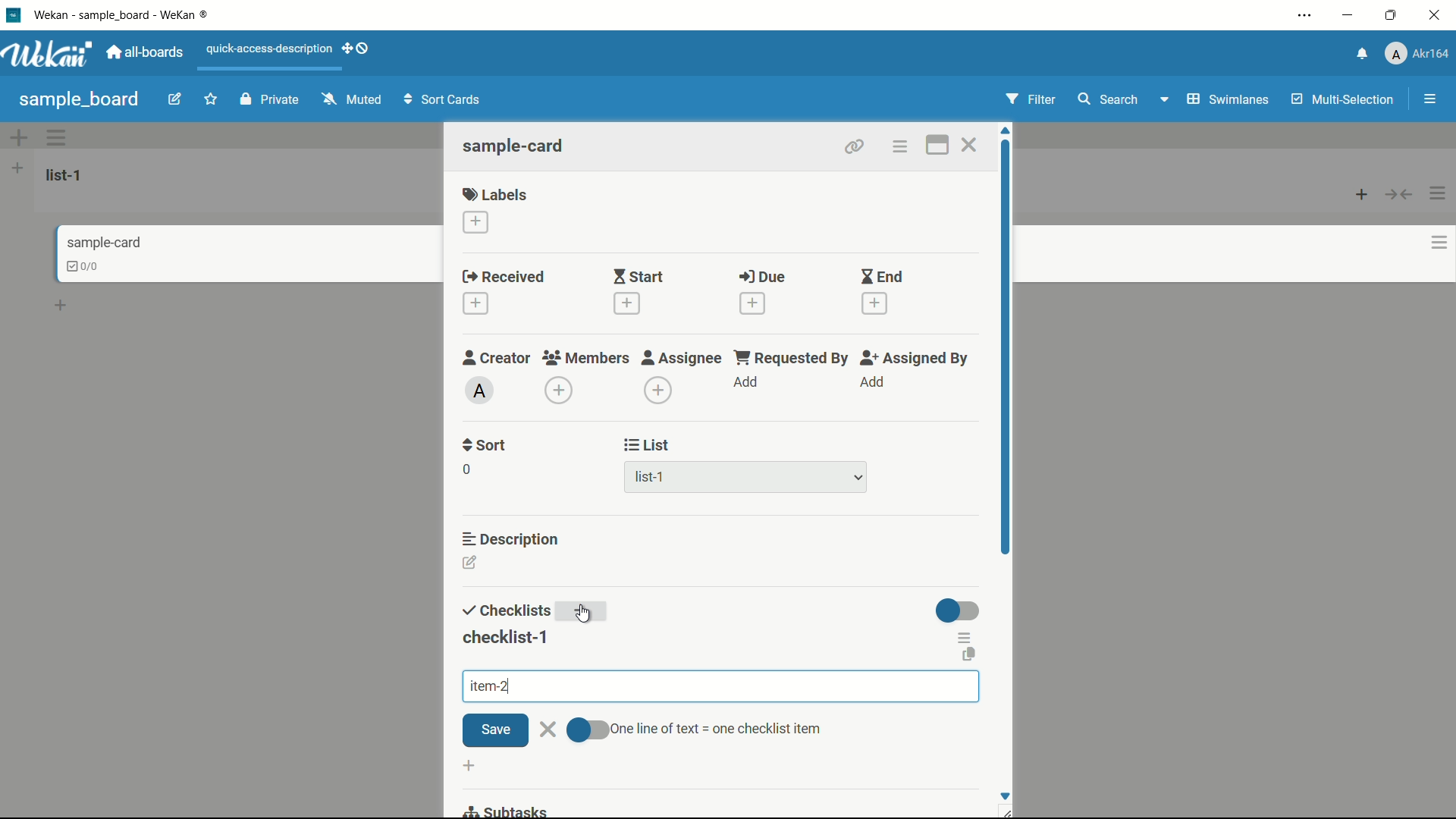 This screenshot has width=1456, height=819. I want to click on multi selection, so click(1345, 101).